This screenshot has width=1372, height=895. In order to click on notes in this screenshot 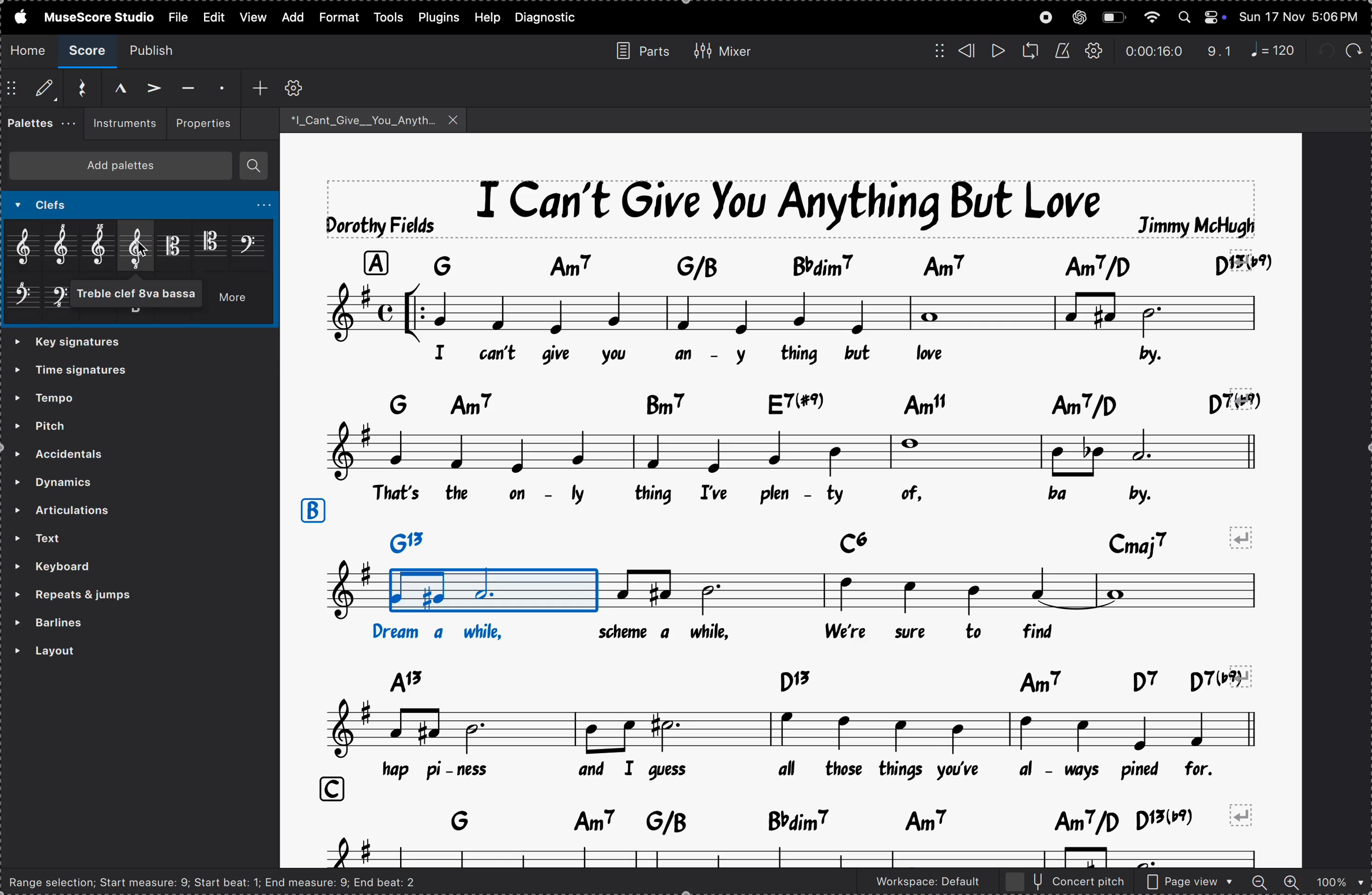, I will do `click(794, 450)`.